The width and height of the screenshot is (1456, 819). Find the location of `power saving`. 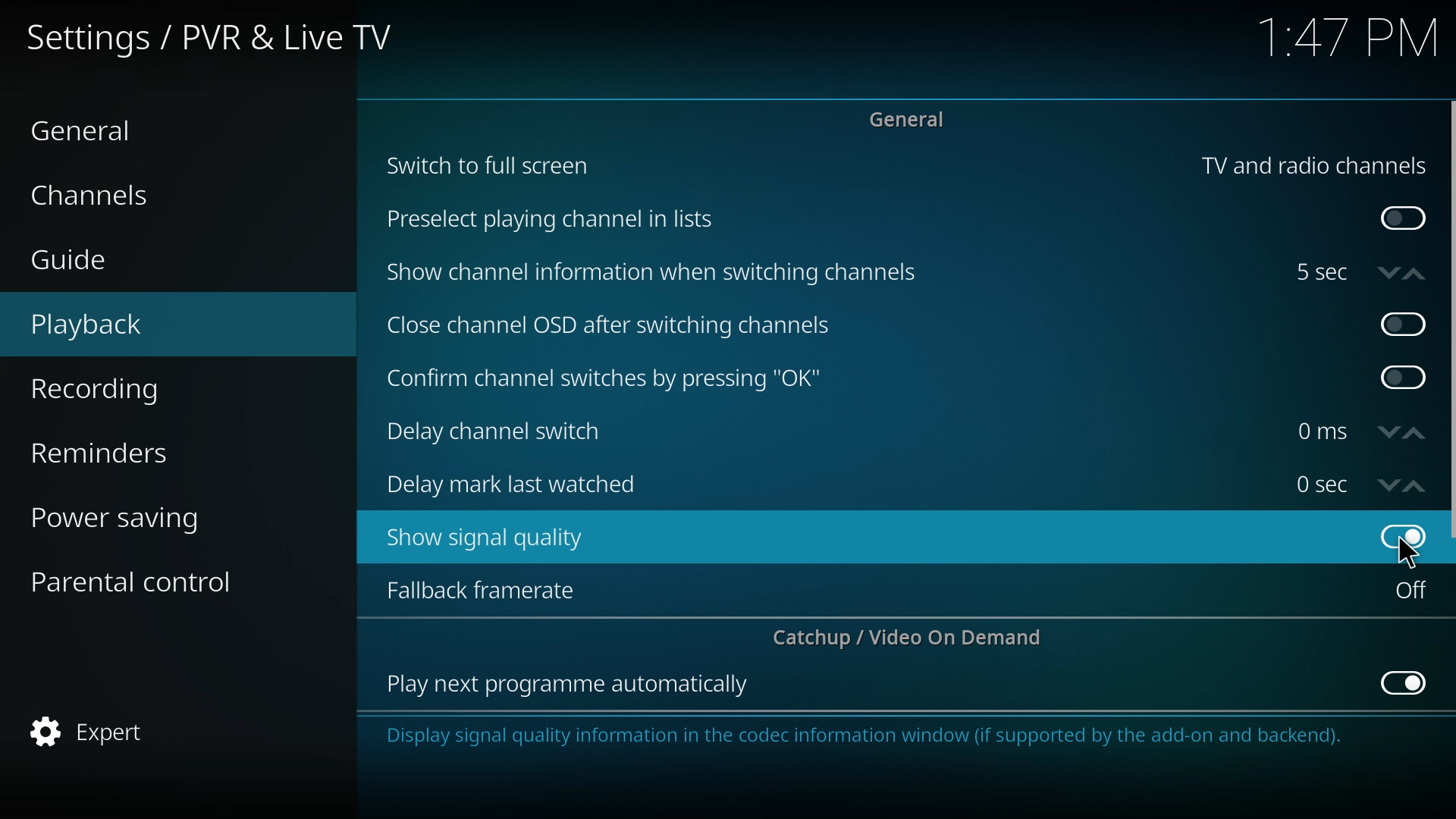

power saving is located at coordinates (140, 516).